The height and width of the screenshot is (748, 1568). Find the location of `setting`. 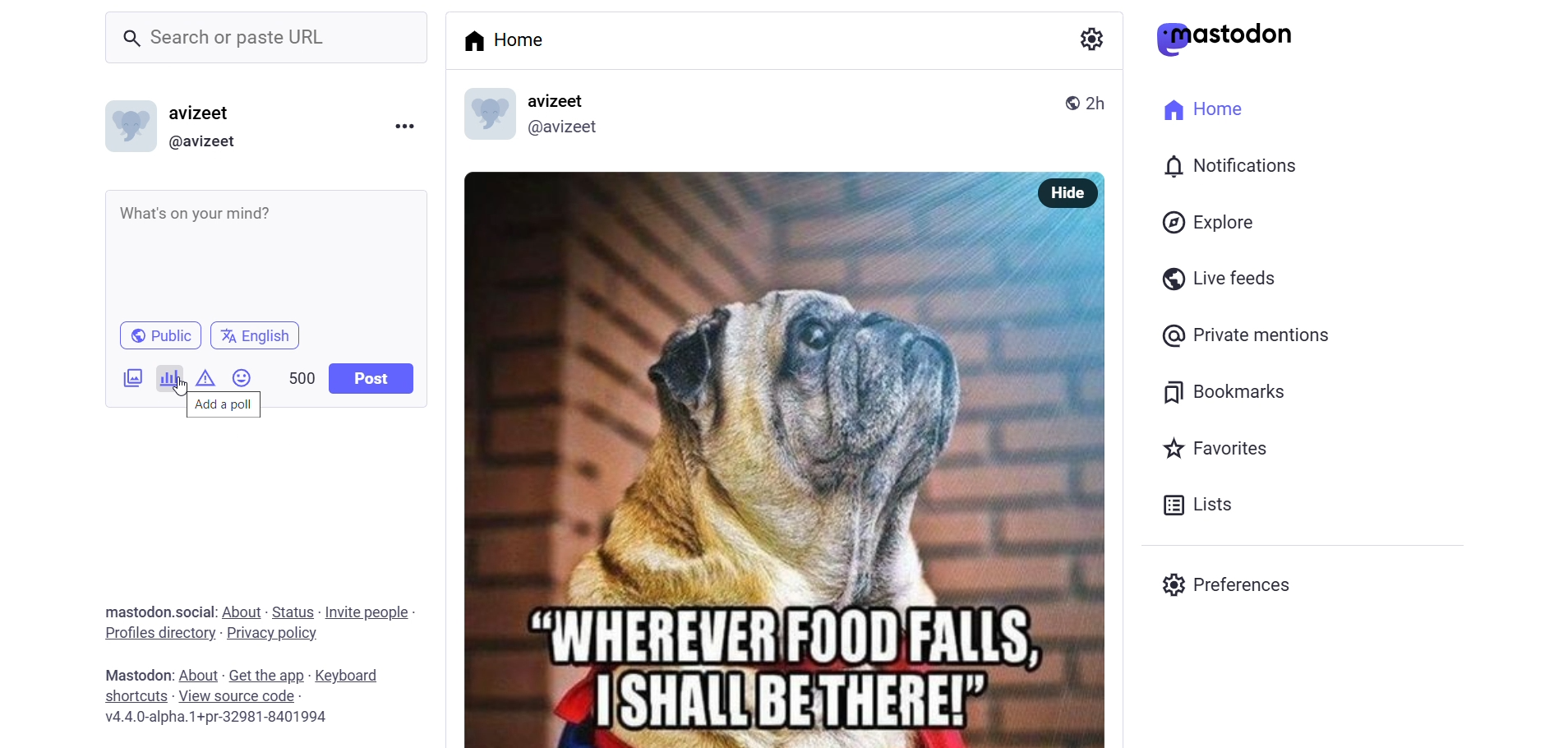

setting is located at coordinates (1089, 38).